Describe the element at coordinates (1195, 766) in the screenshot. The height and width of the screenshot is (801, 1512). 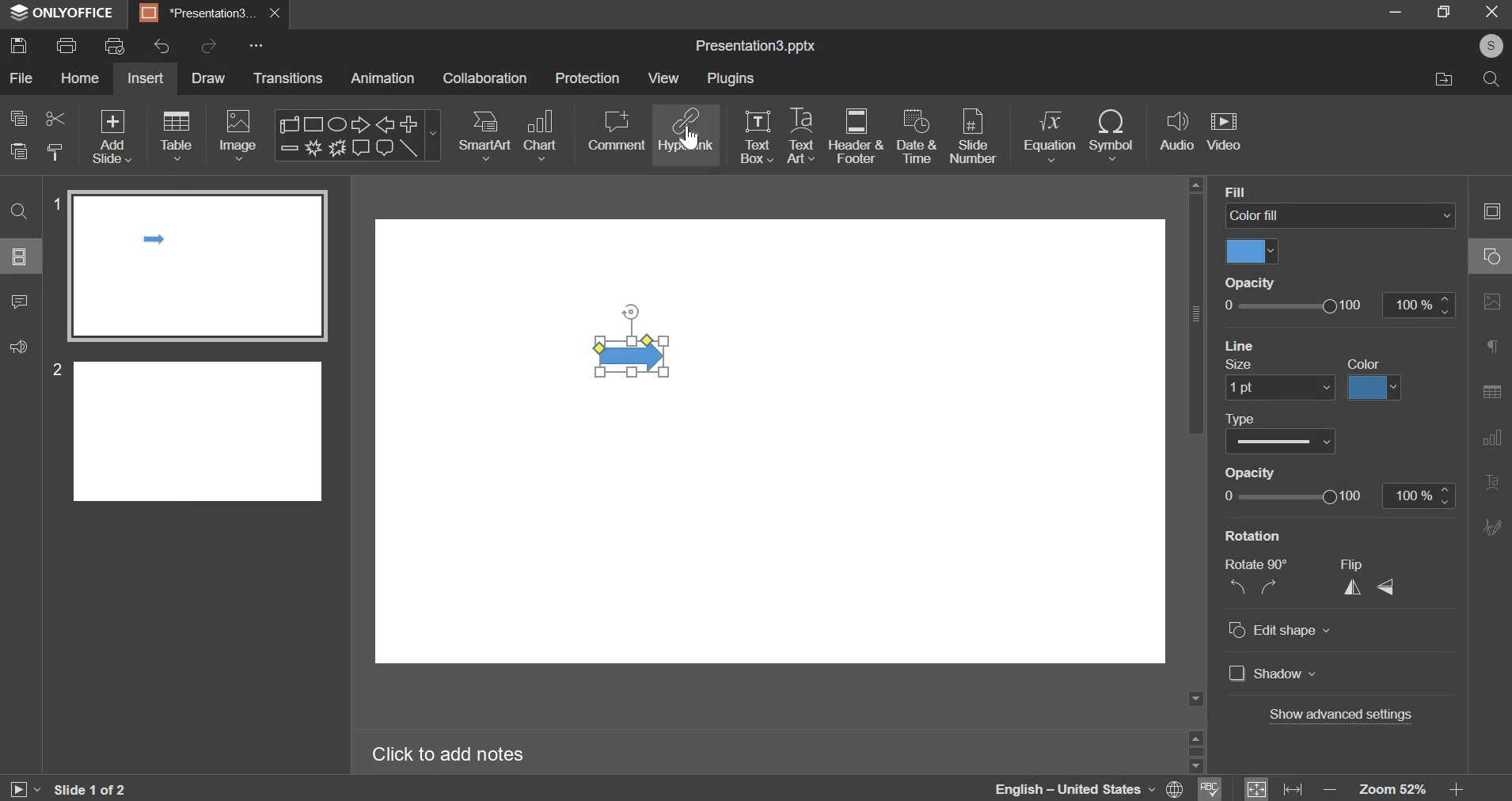
I see `scroll down` at that location.